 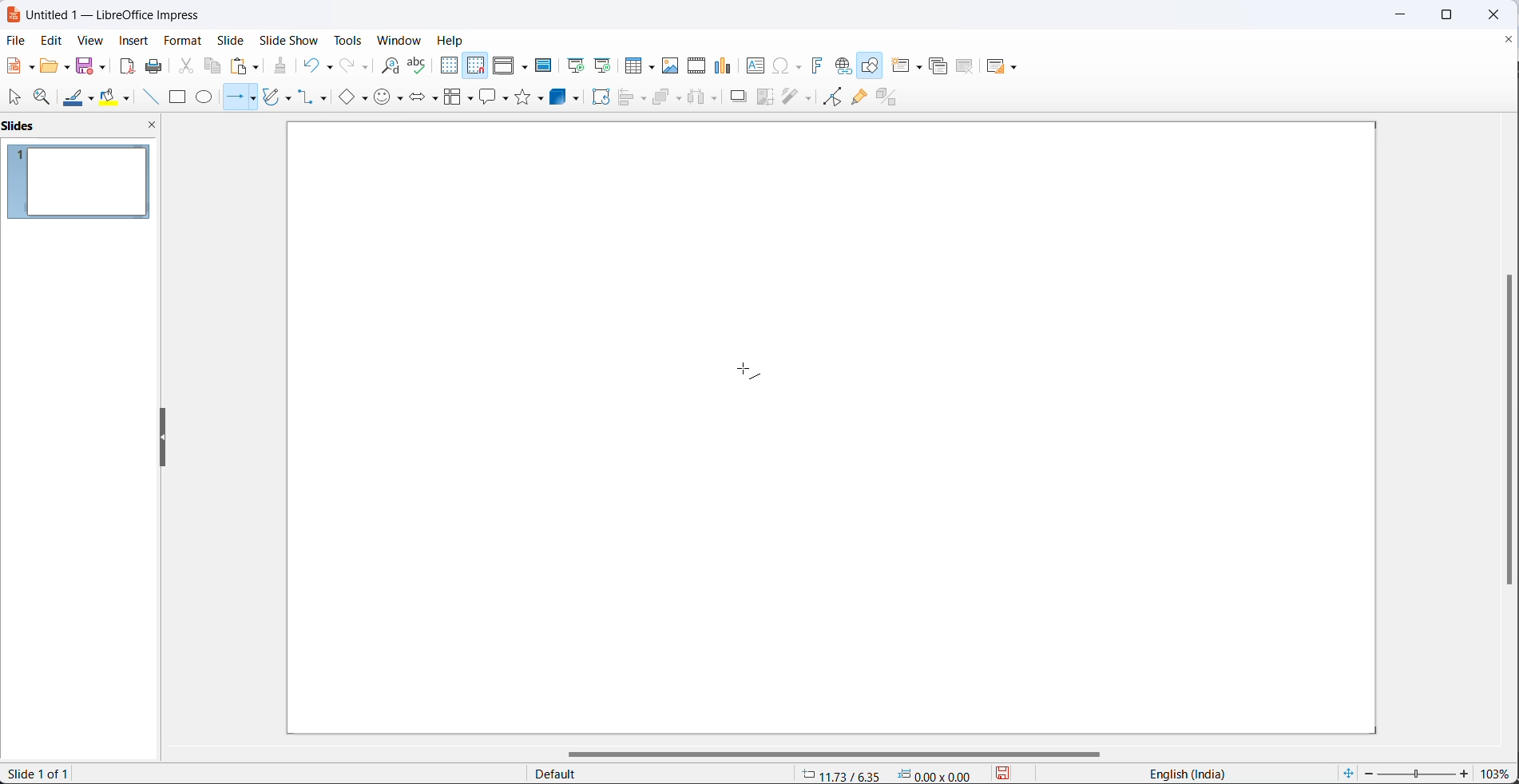 I want to click on new slide , so click(x=909, y=65).